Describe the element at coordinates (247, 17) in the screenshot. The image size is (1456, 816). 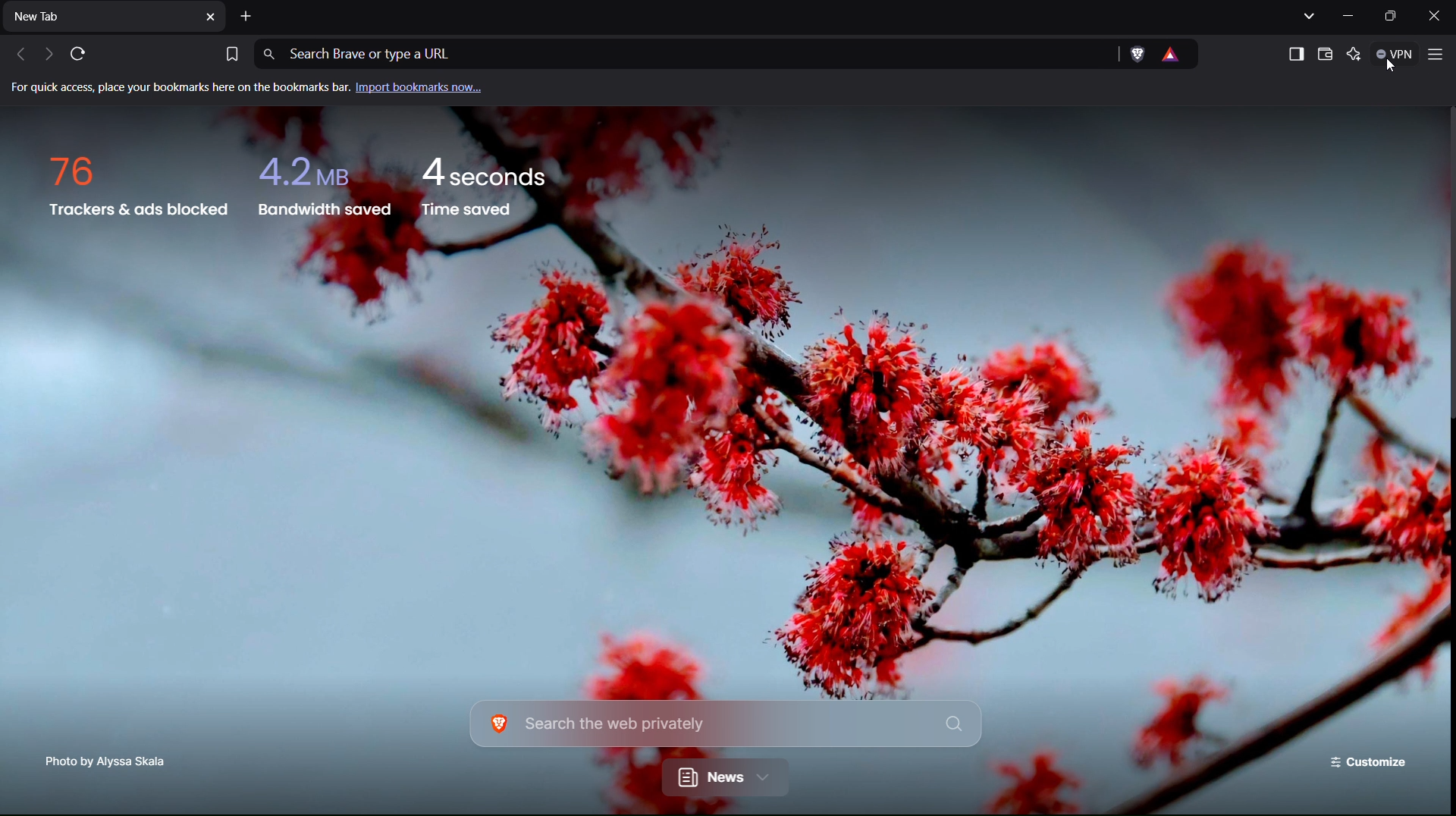
I see `Add new tab` at that location.